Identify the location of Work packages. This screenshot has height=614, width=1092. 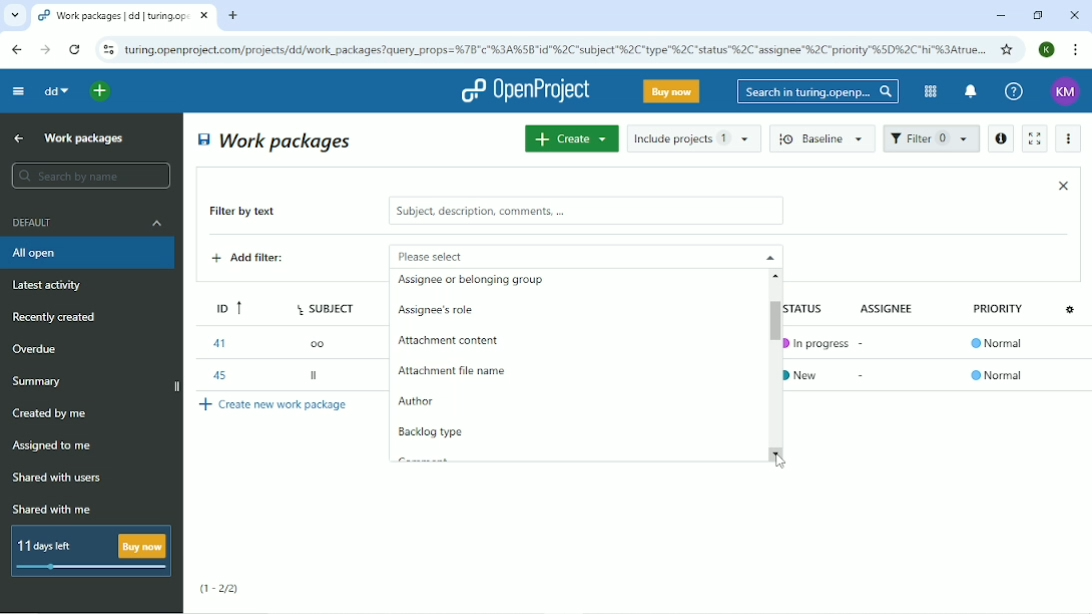
(276, 140).